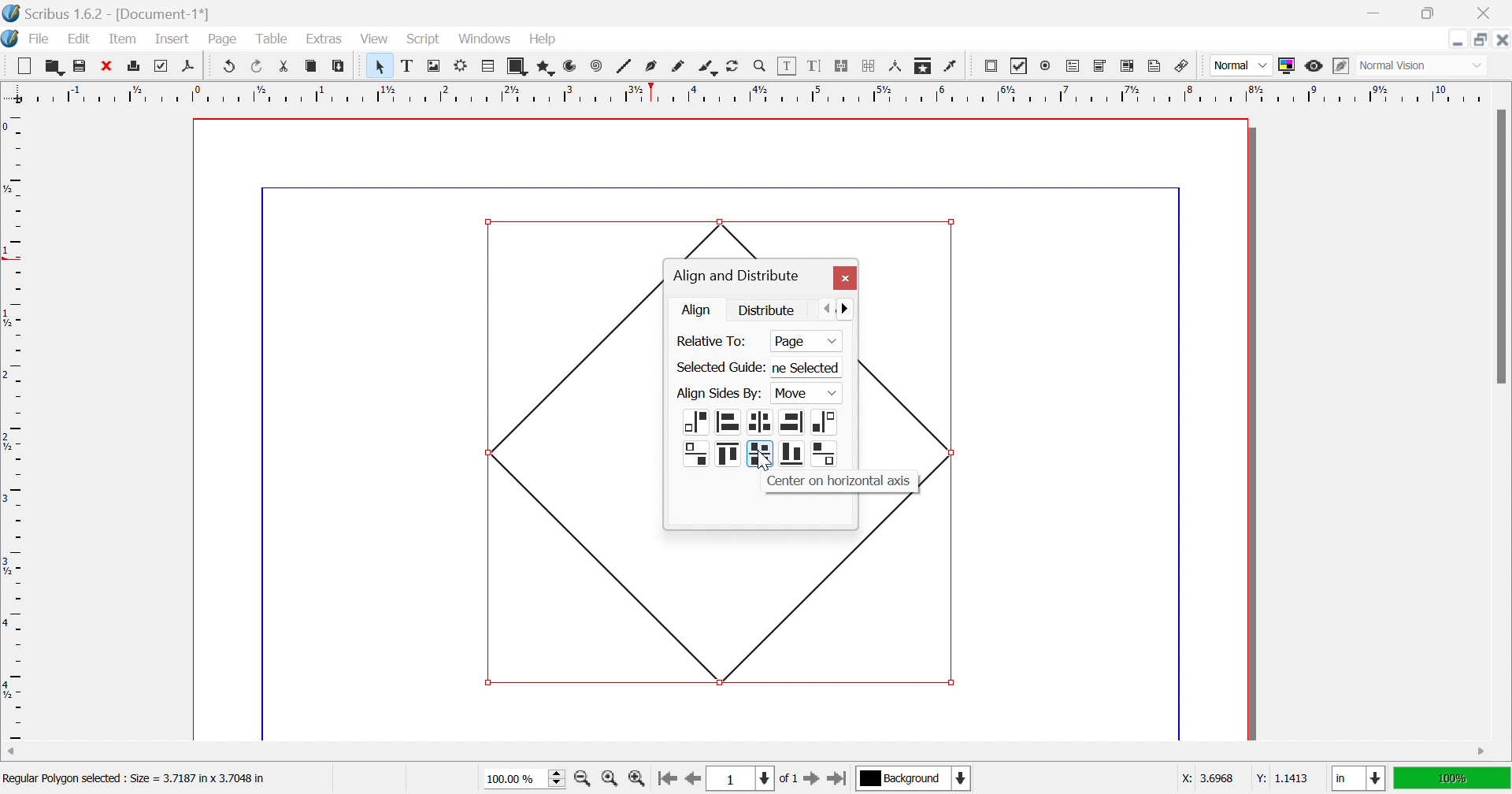 Image resolution: width=1512 pixels, height=794 pixels. I want to click on Cursor, so click(498, 46).